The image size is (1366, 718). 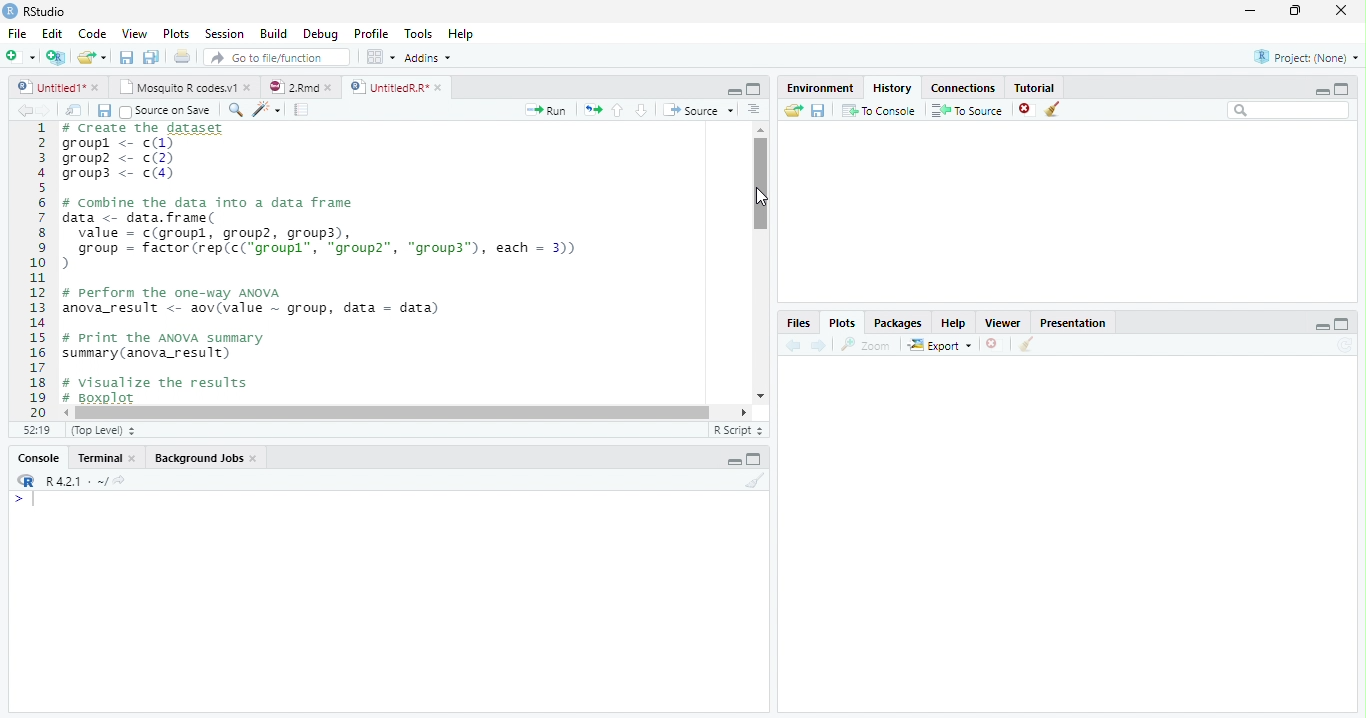 What do you see at coordinates (277, 34) in the screenshot?
I see `Build` at bounding box center [277, 34].